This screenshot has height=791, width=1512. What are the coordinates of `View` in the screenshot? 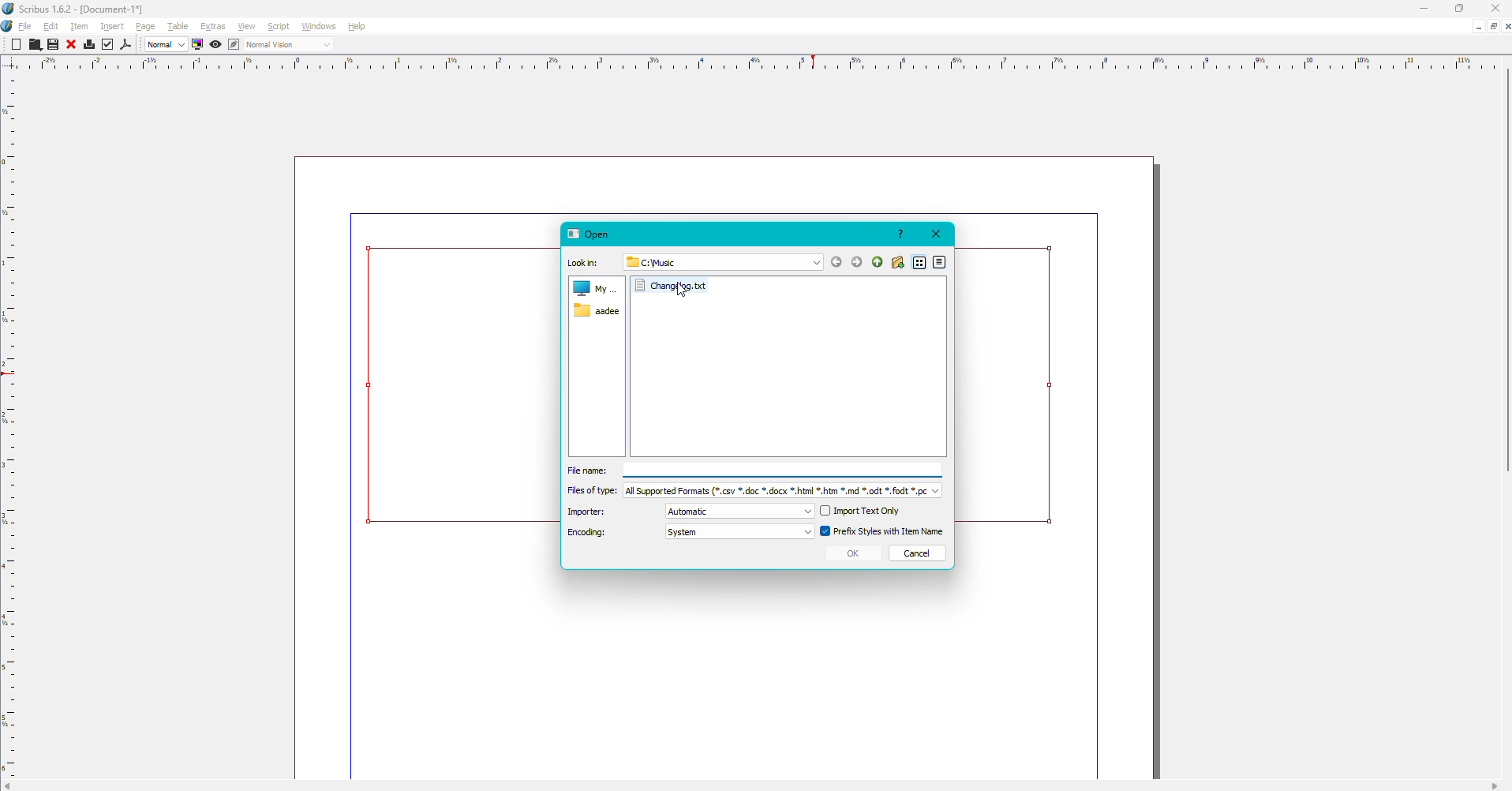 It's located at (214, 47).